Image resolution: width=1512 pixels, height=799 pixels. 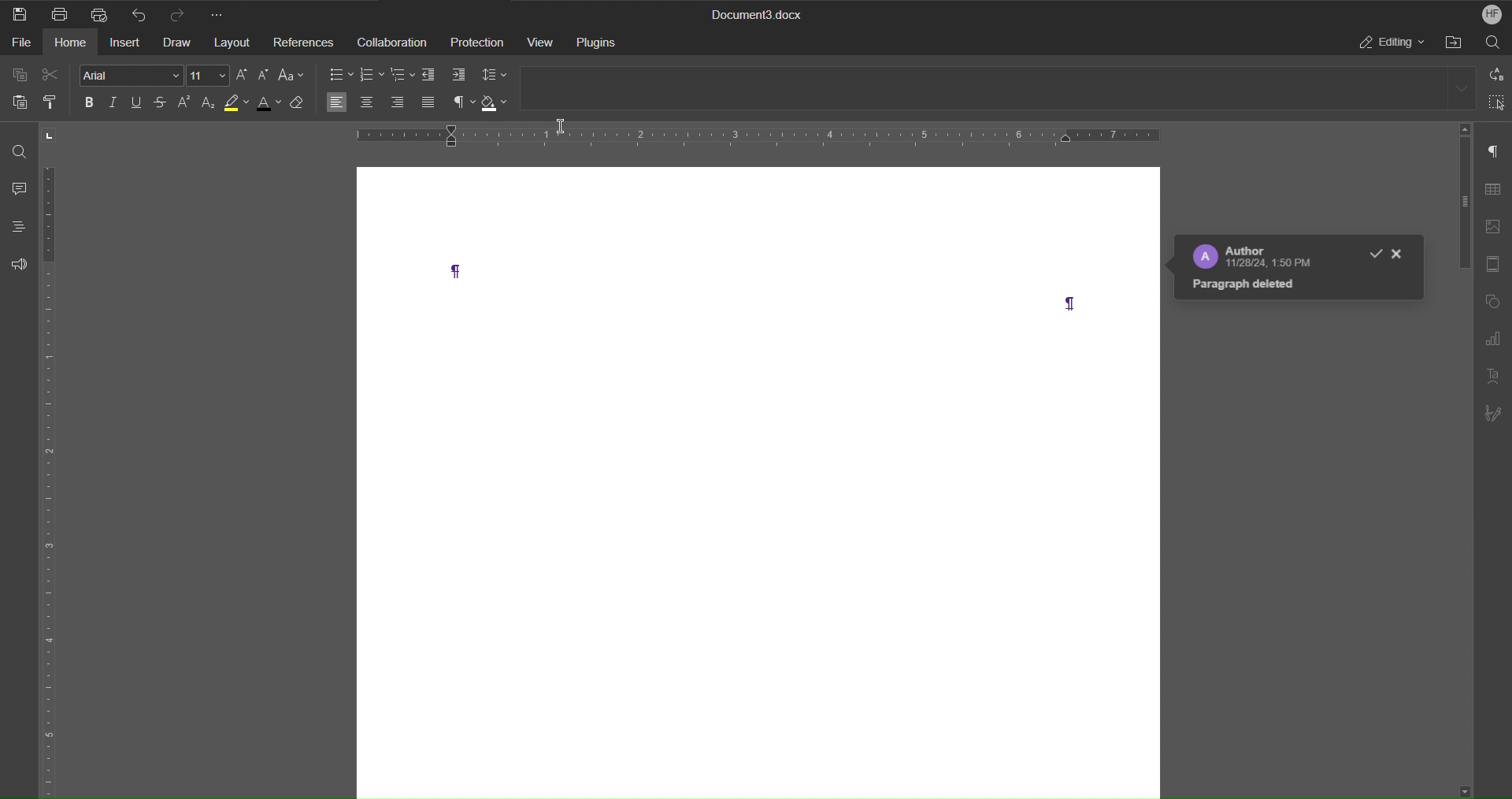 I want to click on Collaboration, so click(x=396, y=42).